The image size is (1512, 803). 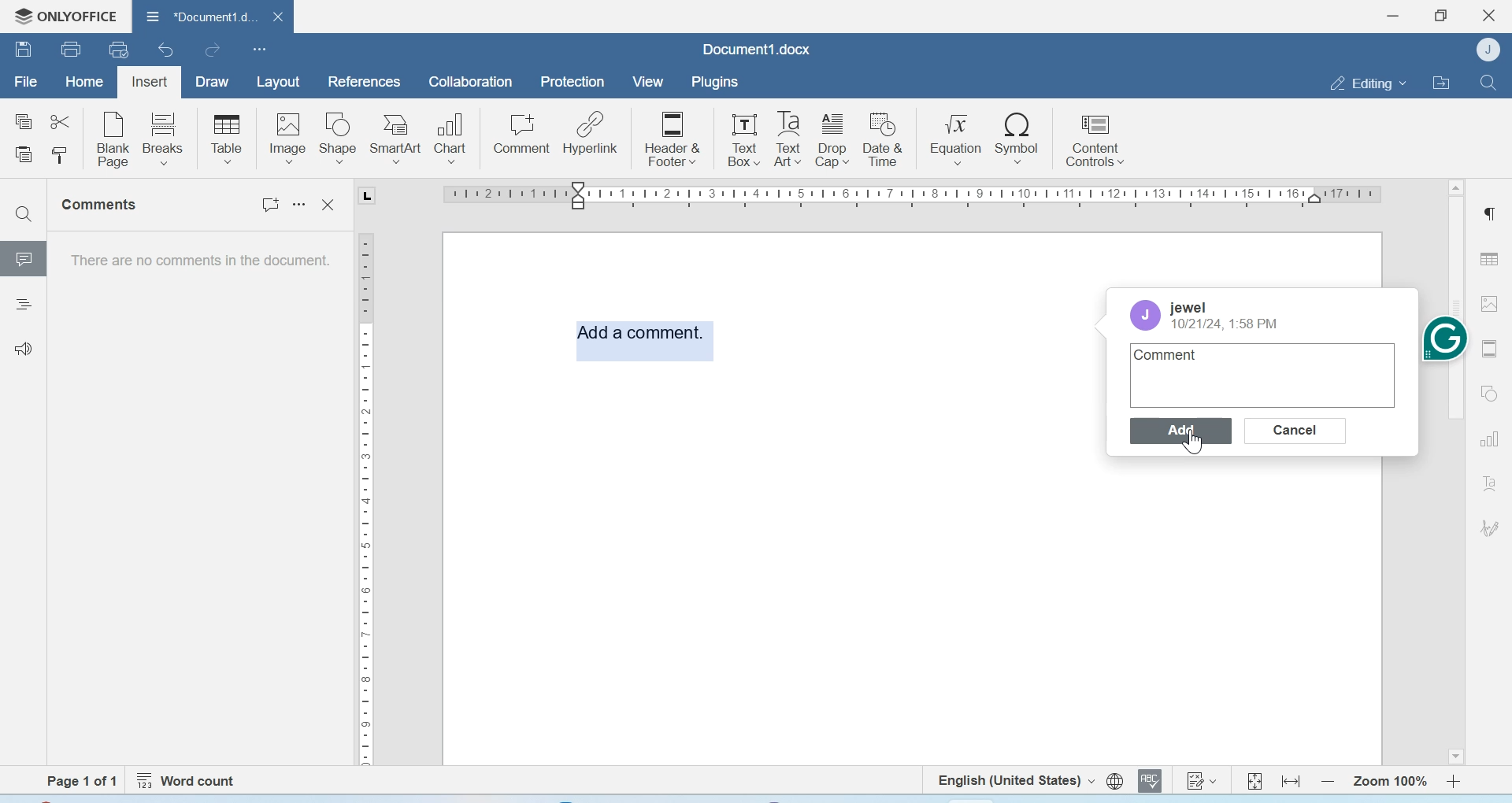 What do you see at coordinates (331, 205) in the screenshot?
I see `Close` at bounding box center [331, 205].